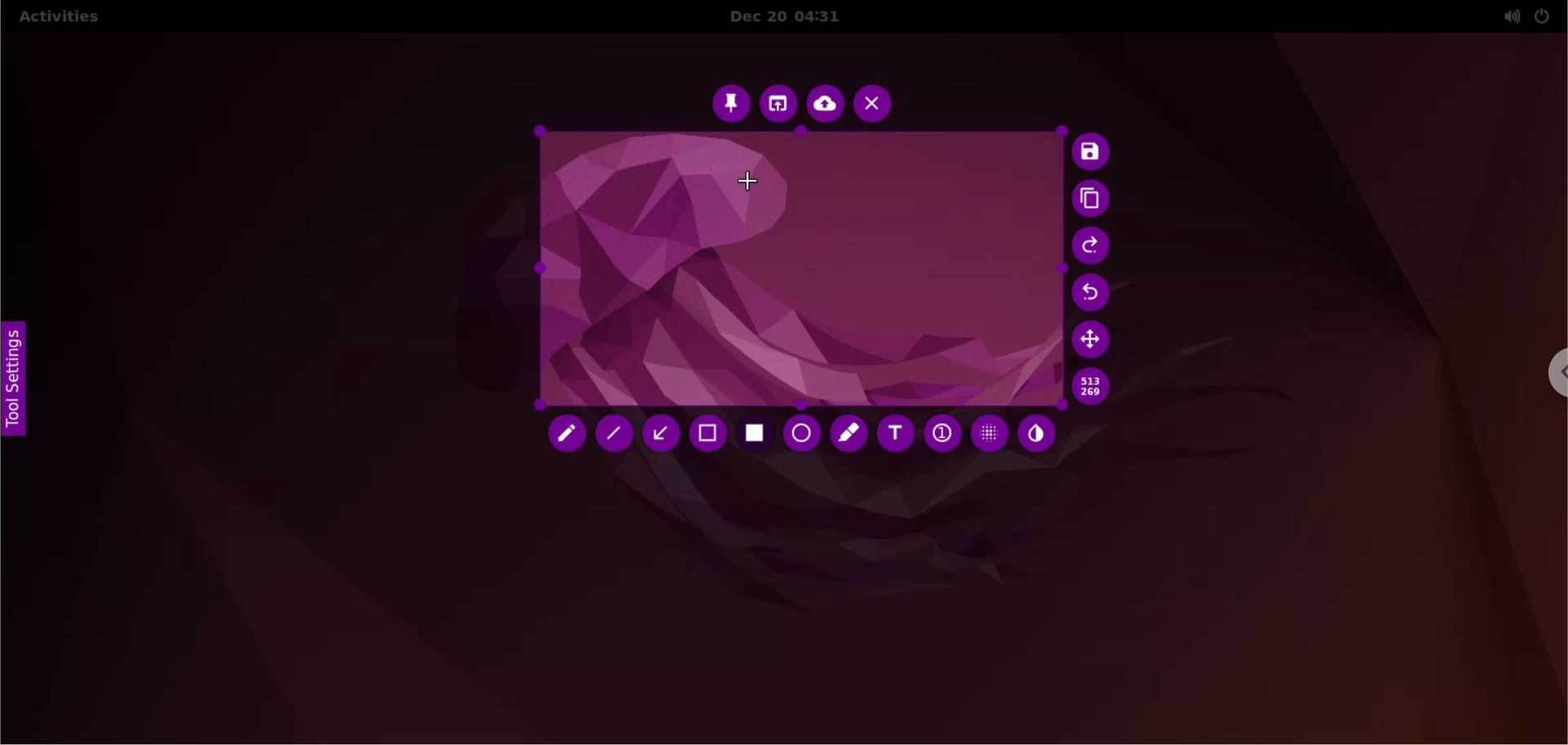 The height and width of the screenshot is (745, 1568). What do you see at coordinates (801, 434) in the screenshot?
I see `circle tool` at bounding box center [801, 434].